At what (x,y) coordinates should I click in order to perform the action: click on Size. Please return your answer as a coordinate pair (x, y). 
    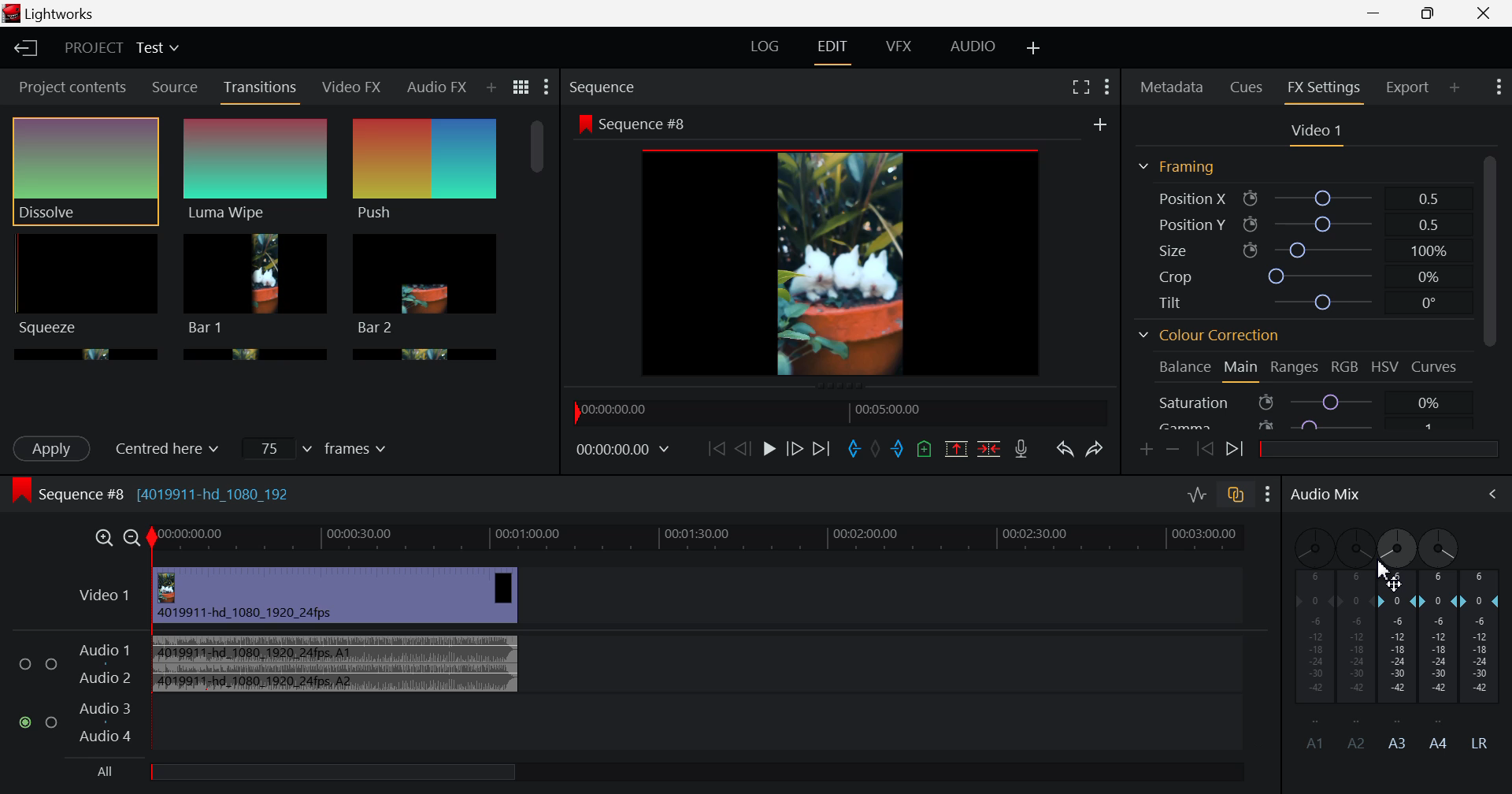
    Looking at the image, I should click on (1300, 247).